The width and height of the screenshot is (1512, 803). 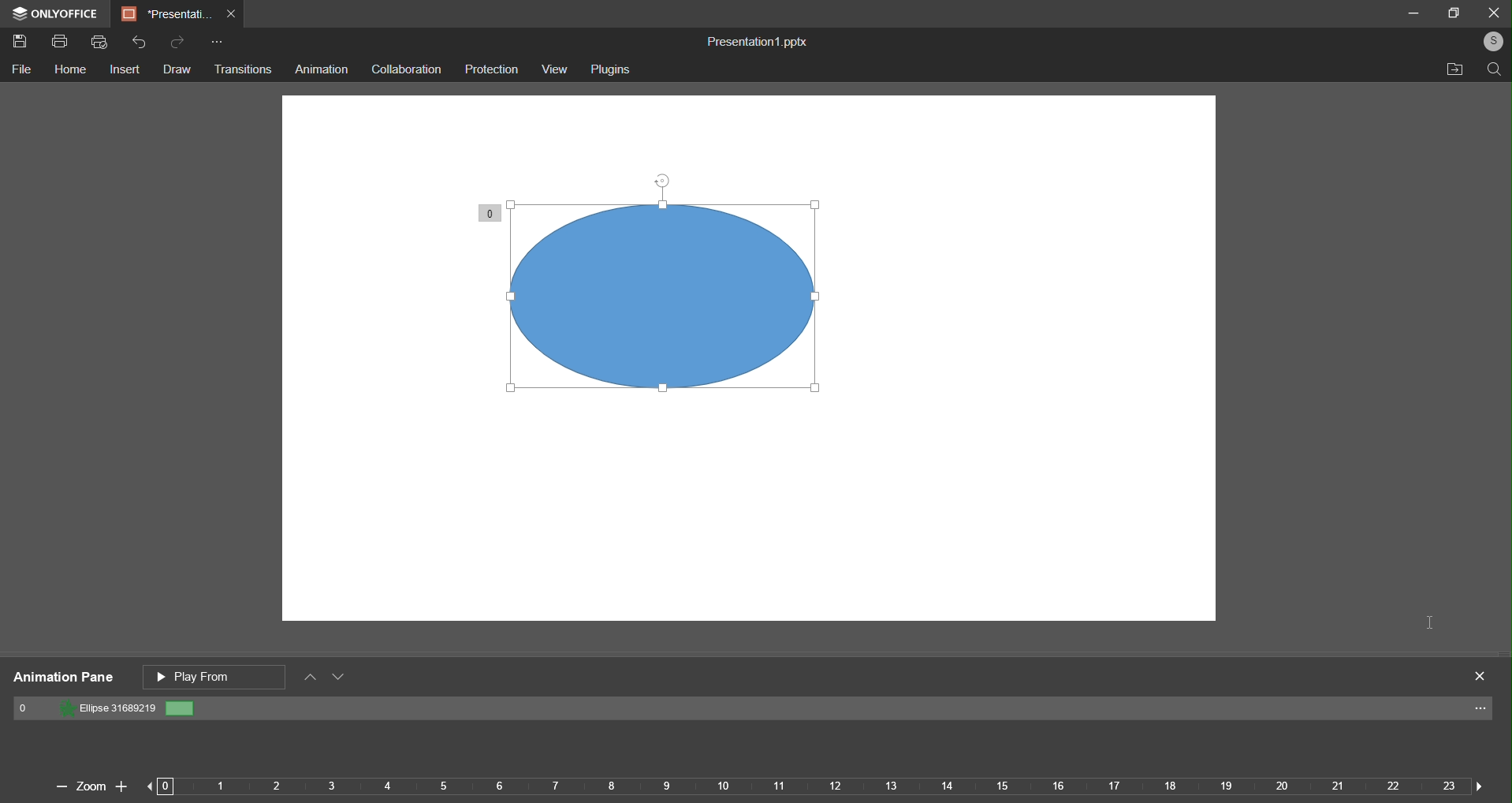 What do you see at coordinates (341, 679) in the screenshot?
I see `move down` at bounding box center [341, 679].